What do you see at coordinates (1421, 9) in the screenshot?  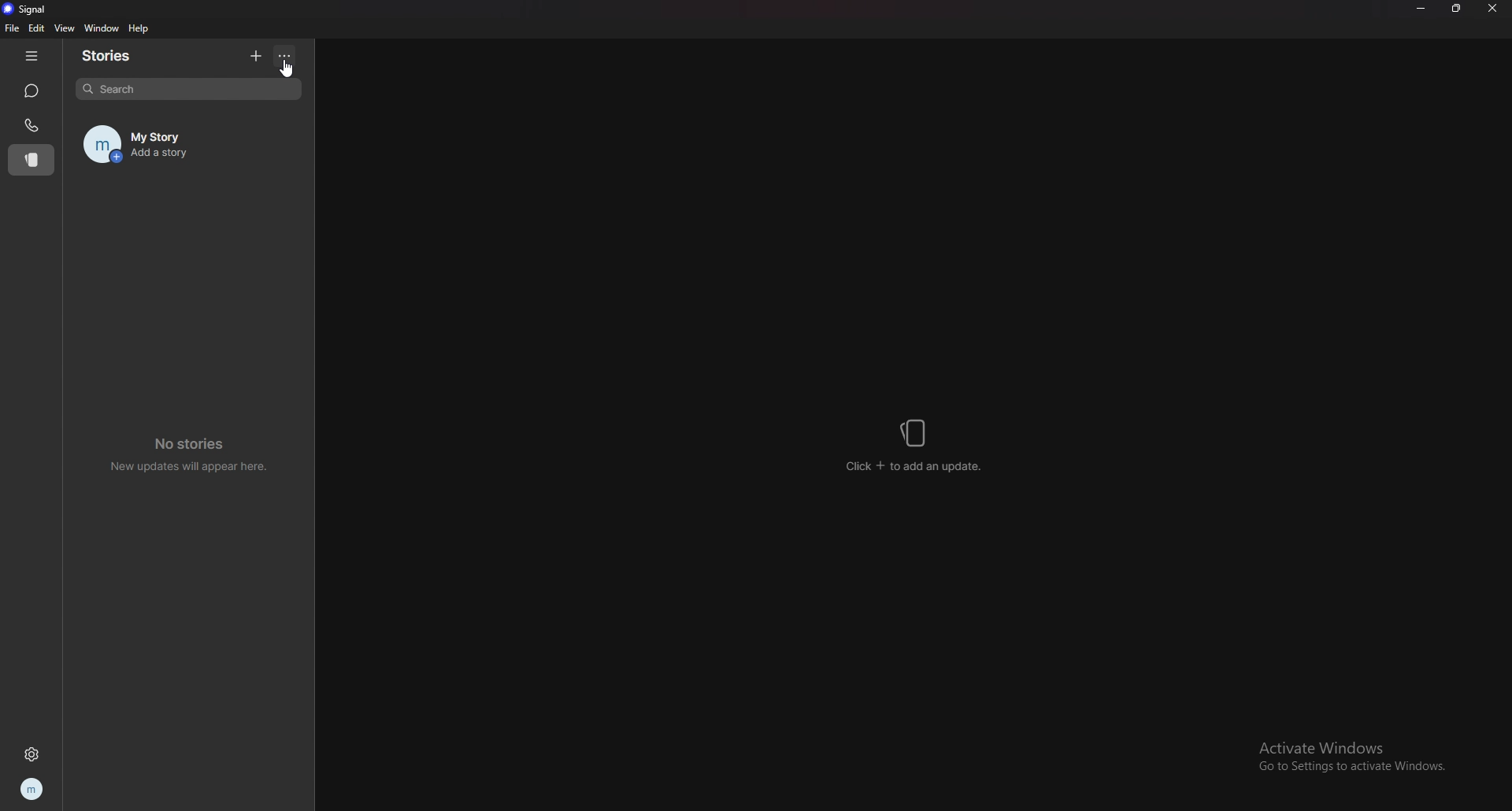 I see `minimize` at bounding box center [1421, 9].